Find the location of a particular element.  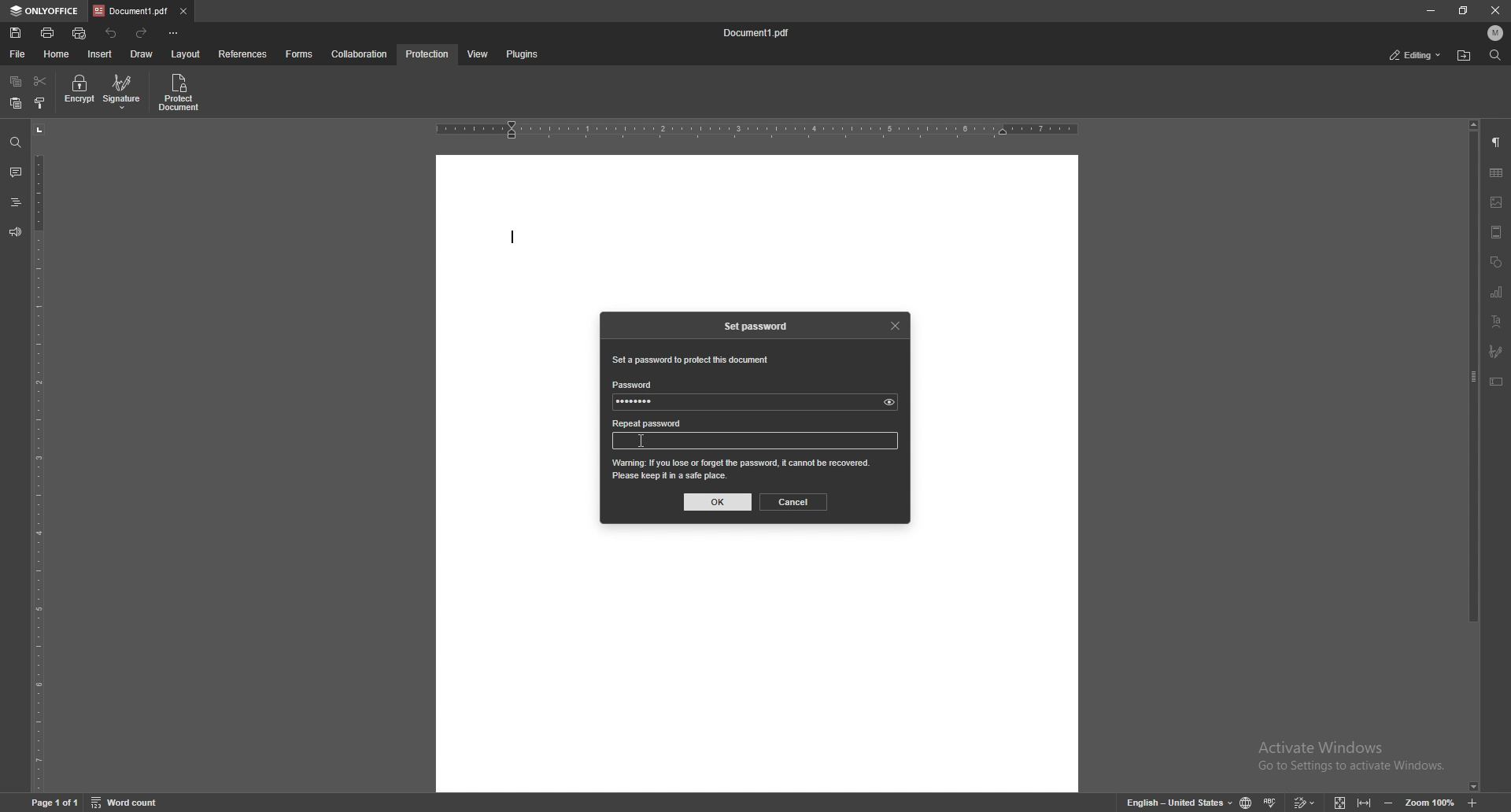

customize toolbar is located at coordinates (172, 34).